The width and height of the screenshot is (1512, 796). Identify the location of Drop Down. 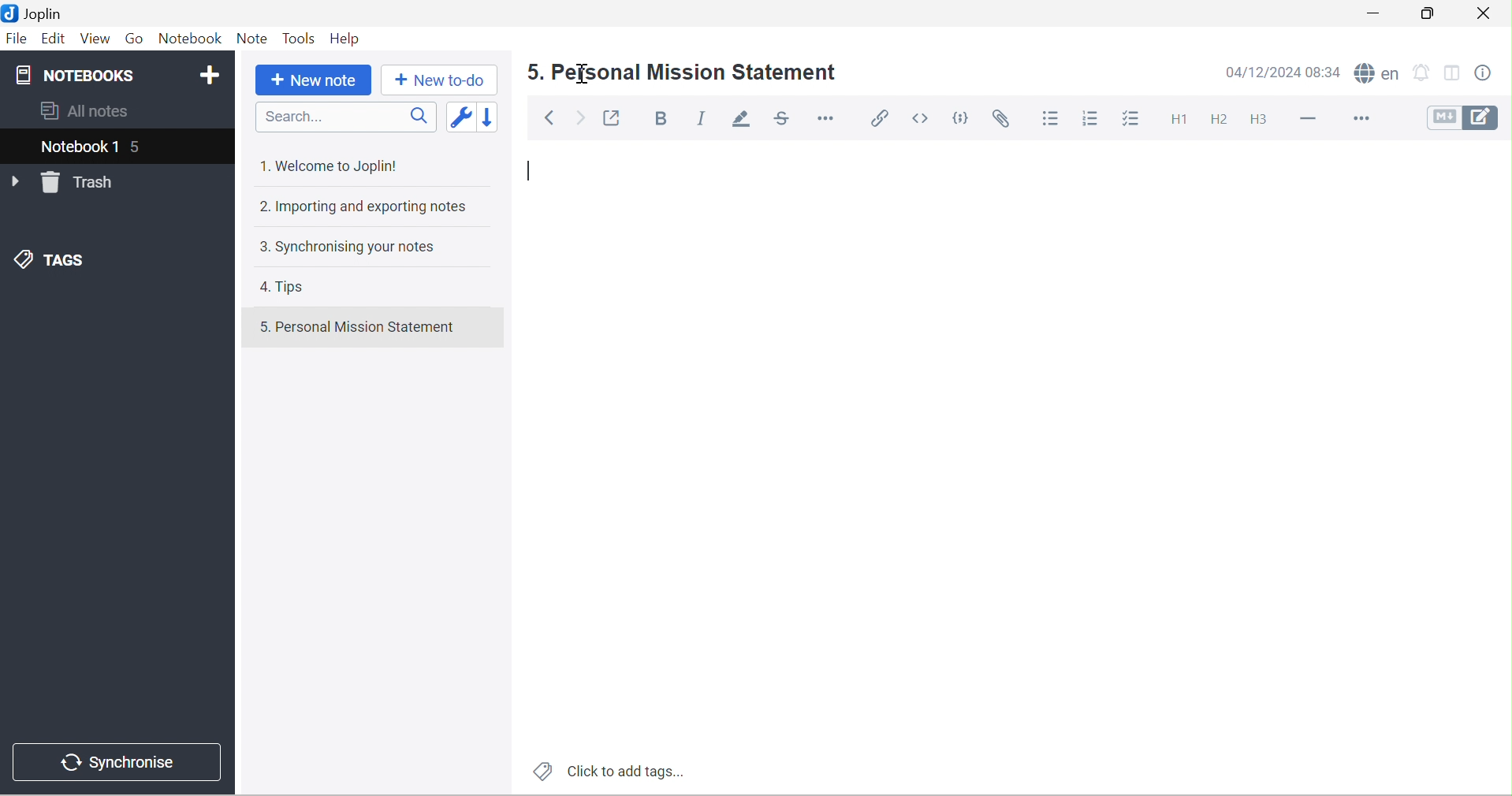
(13, 183).